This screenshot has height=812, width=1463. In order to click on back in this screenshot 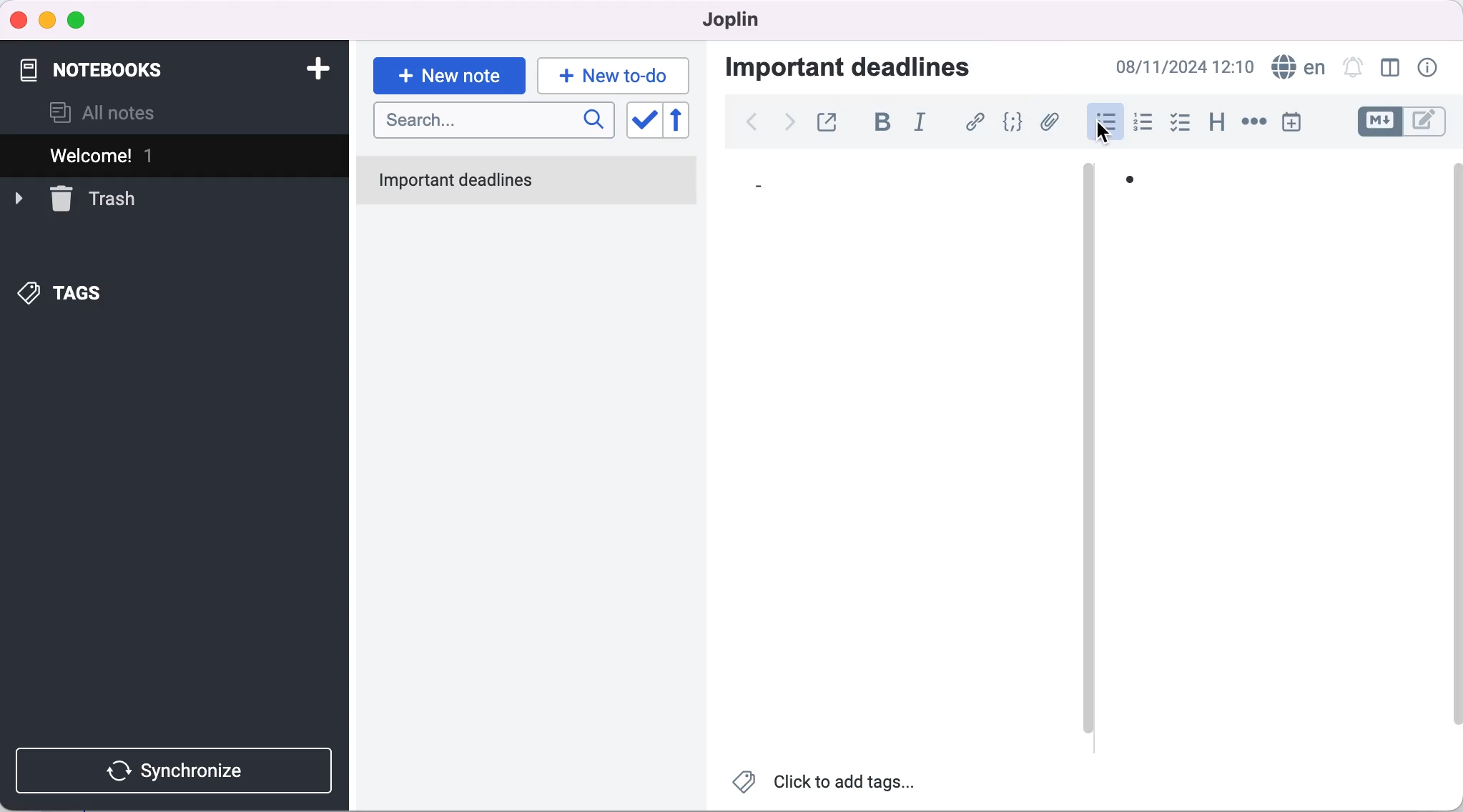, I will do `click(754, 124)`.